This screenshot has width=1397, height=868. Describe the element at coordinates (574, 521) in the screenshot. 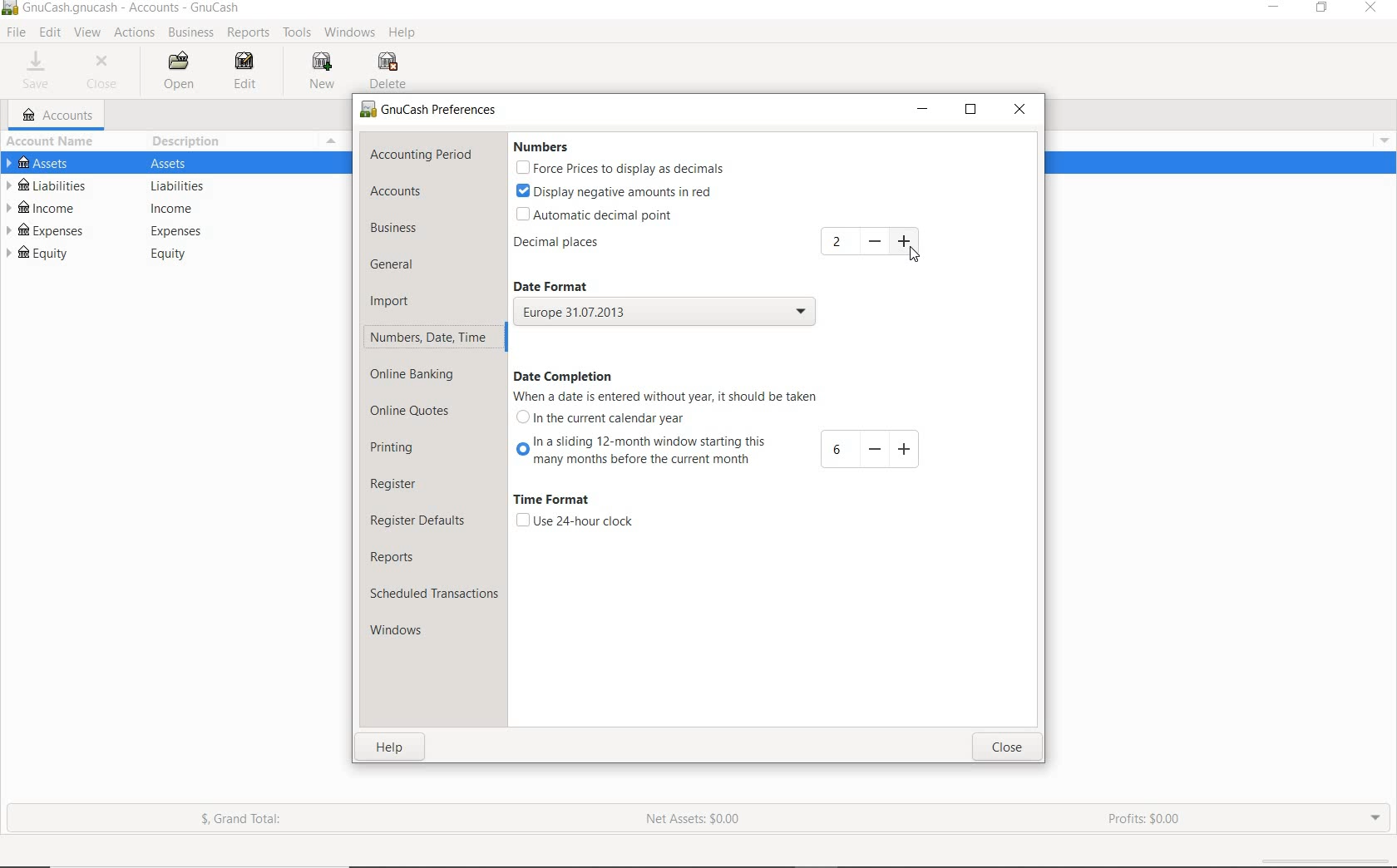

I see `24-hour clock` at that location.